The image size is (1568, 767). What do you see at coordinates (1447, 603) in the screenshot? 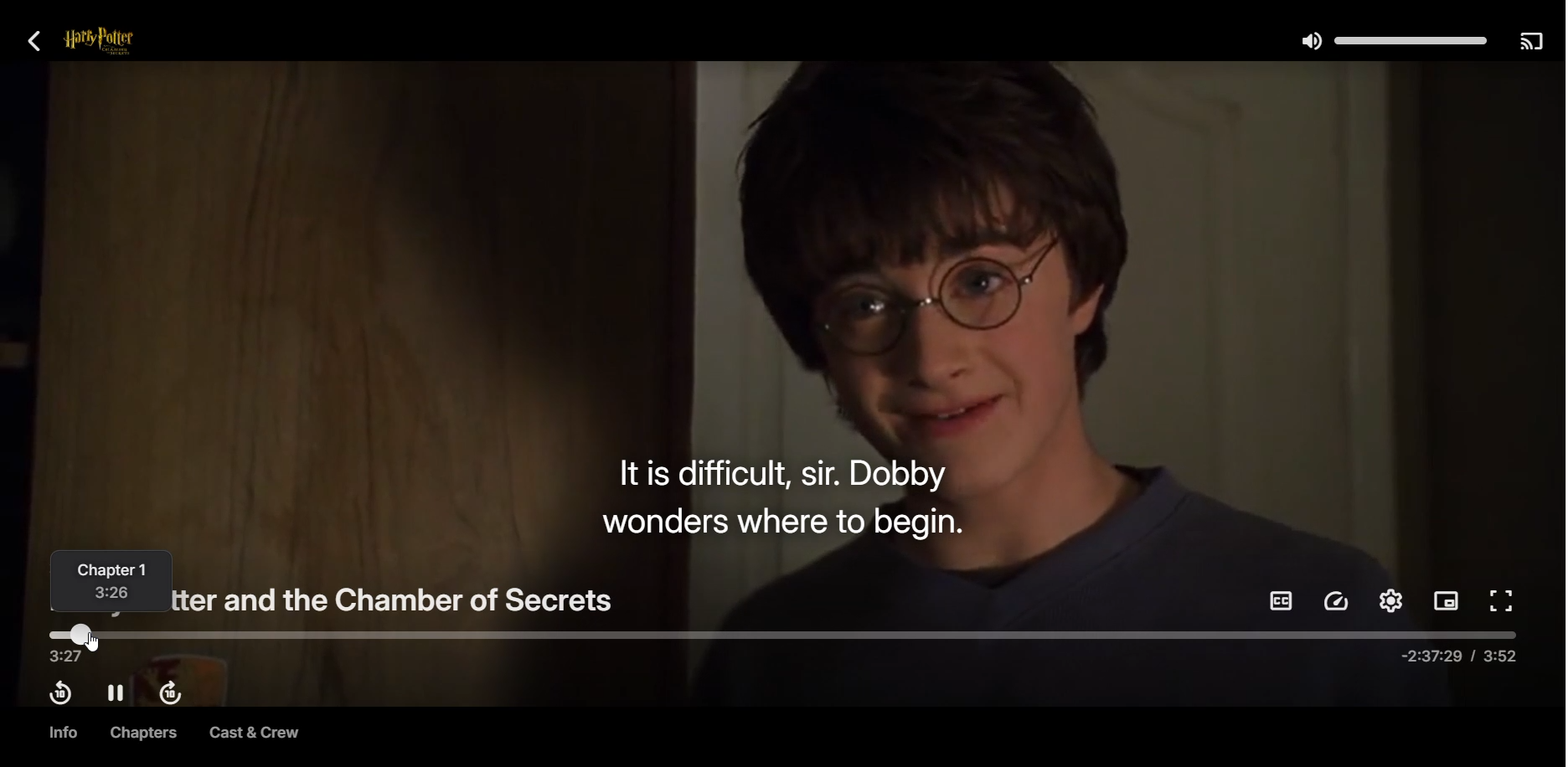
I see `Picture in picture` at bounding box center [1447, 603].